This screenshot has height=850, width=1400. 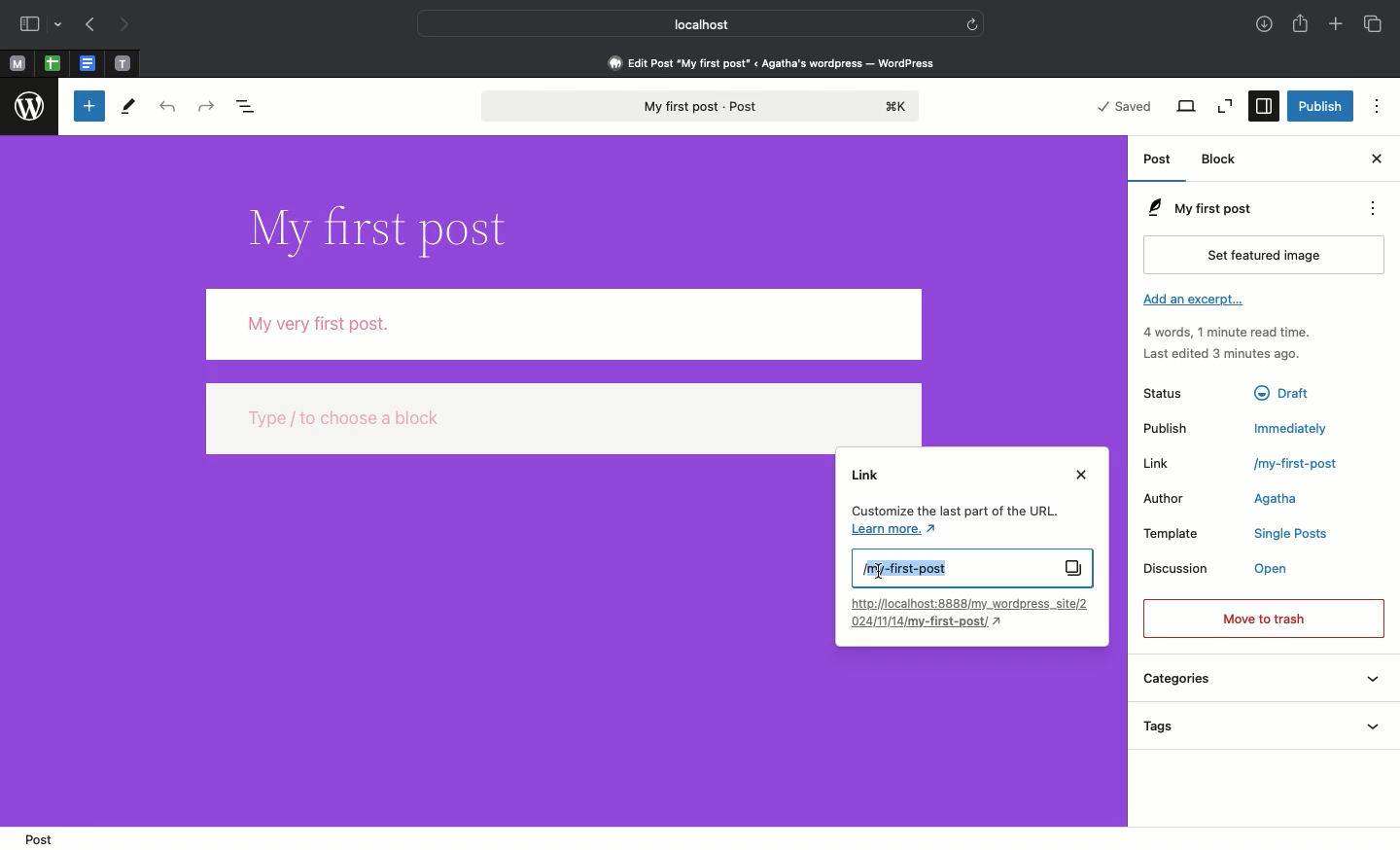 I want to click on Post, so click(x=1159, y=159).